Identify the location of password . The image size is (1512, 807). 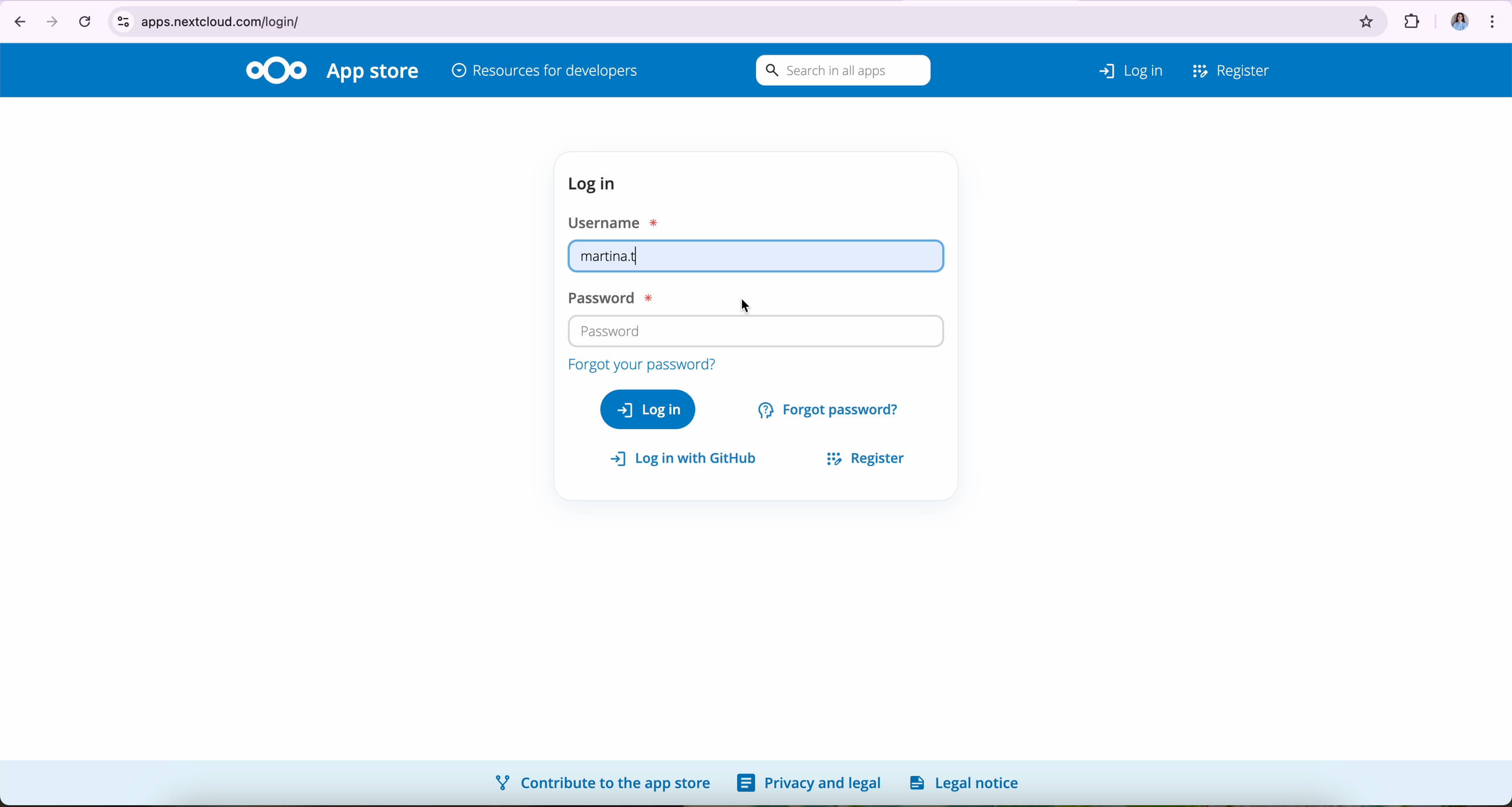
(612, 330).